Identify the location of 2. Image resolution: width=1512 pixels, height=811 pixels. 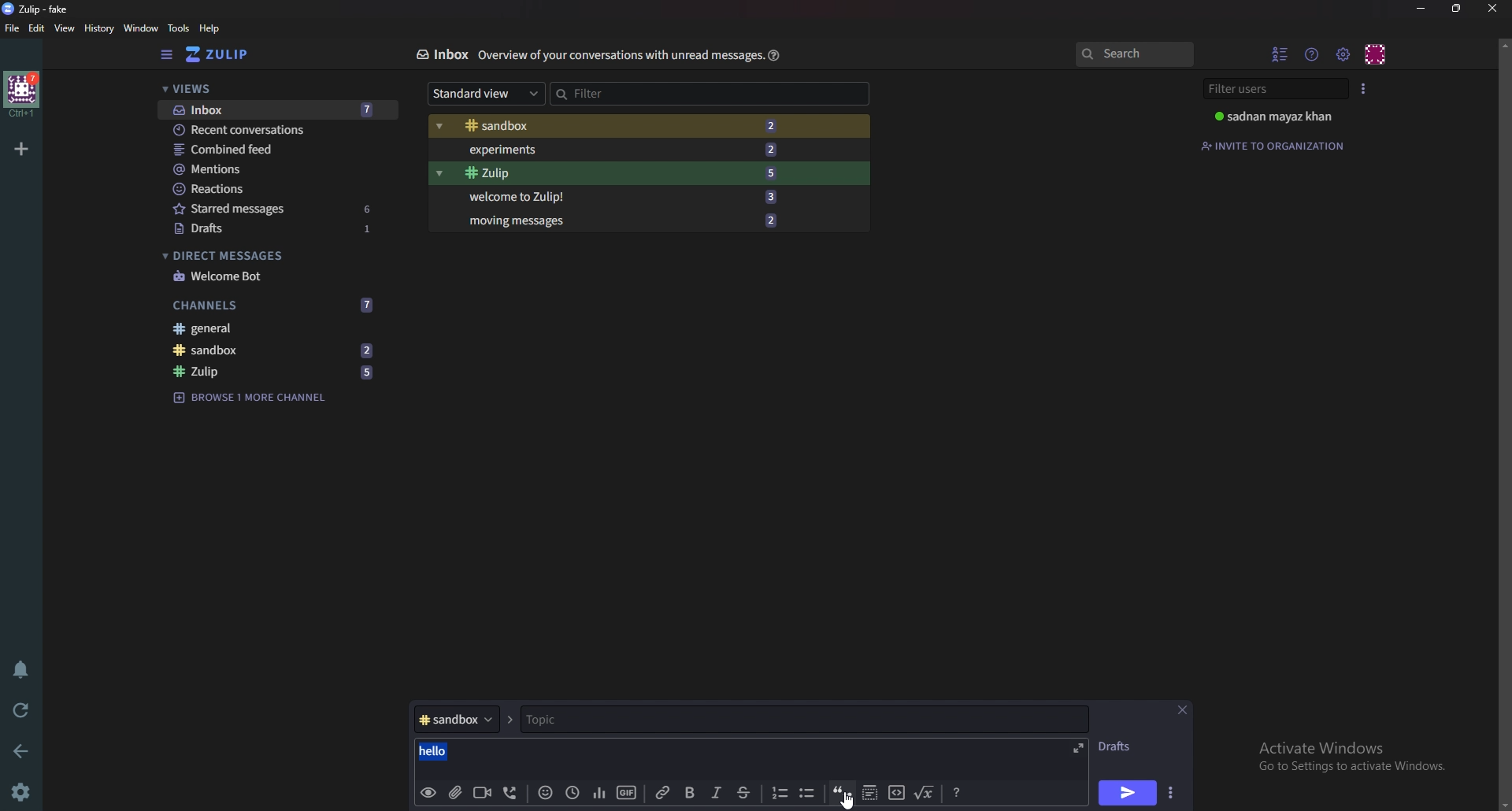
(774, 220).